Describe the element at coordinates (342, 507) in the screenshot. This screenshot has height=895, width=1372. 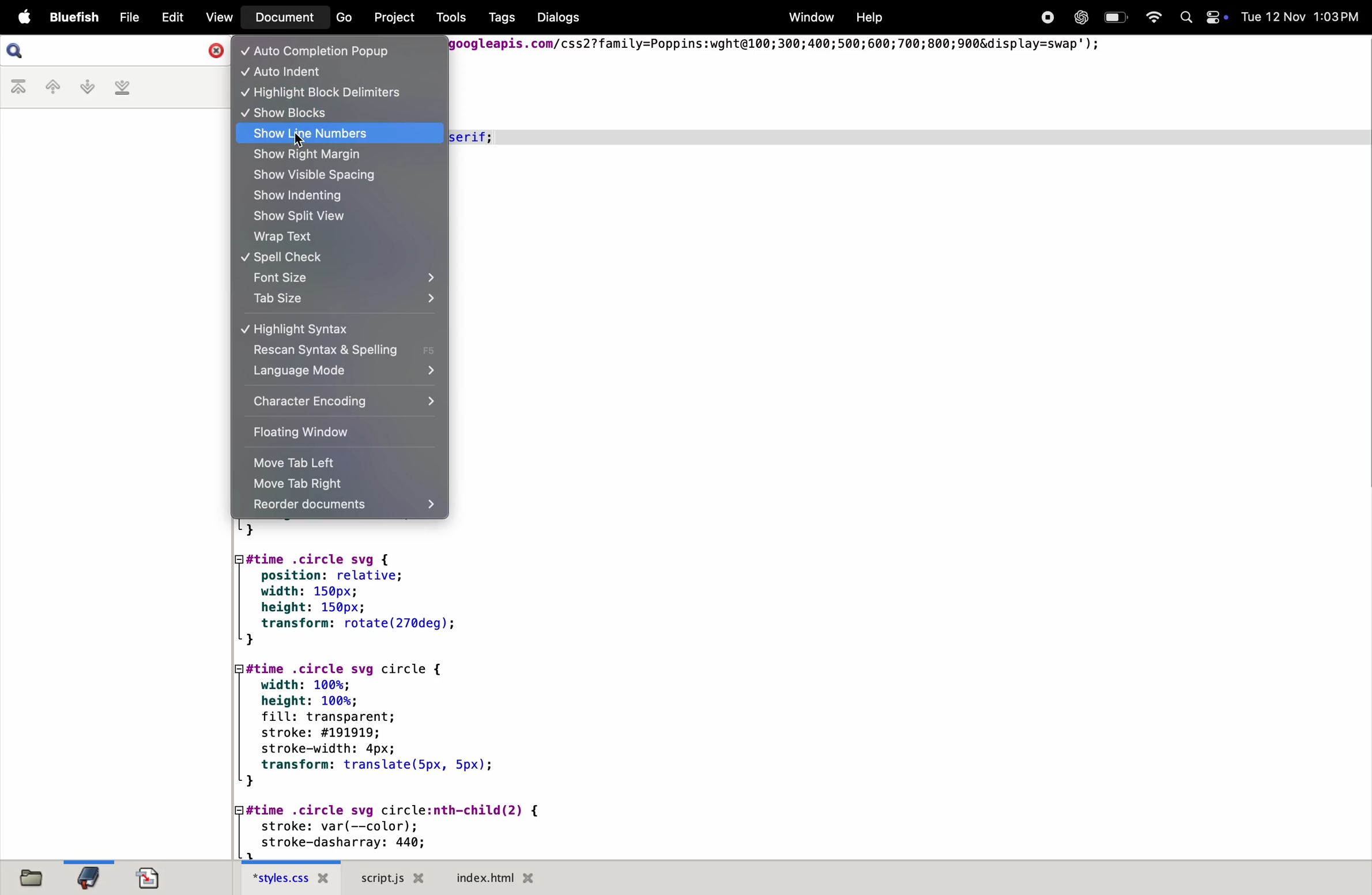
I see `recorder documents` at that location.